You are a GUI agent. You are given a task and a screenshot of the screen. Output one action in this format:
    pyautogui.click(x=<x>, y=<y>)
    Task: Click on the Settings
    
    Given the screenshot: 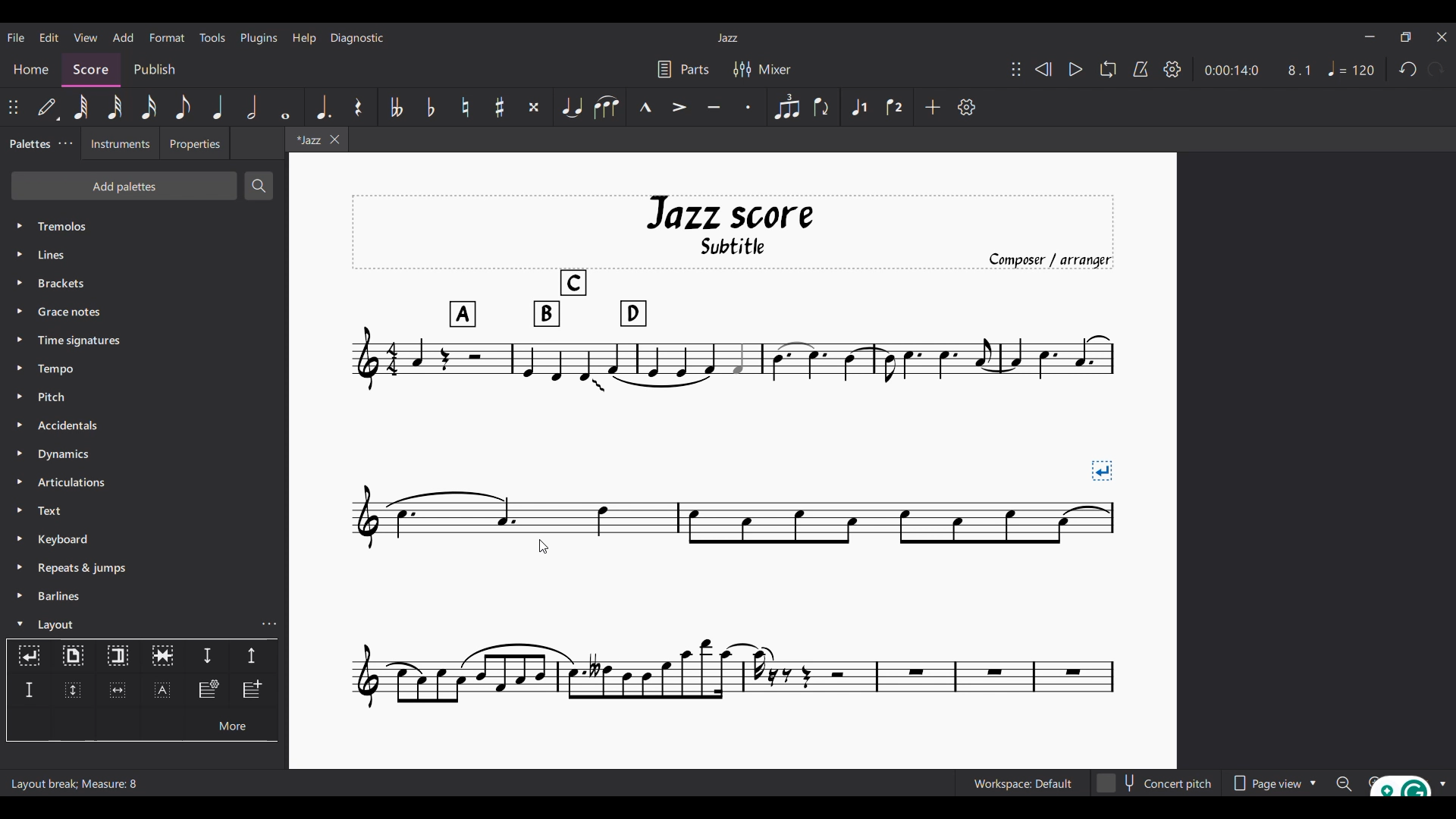 What is the action you would take?
    pyautogui.click(x=1172, y=70)
    